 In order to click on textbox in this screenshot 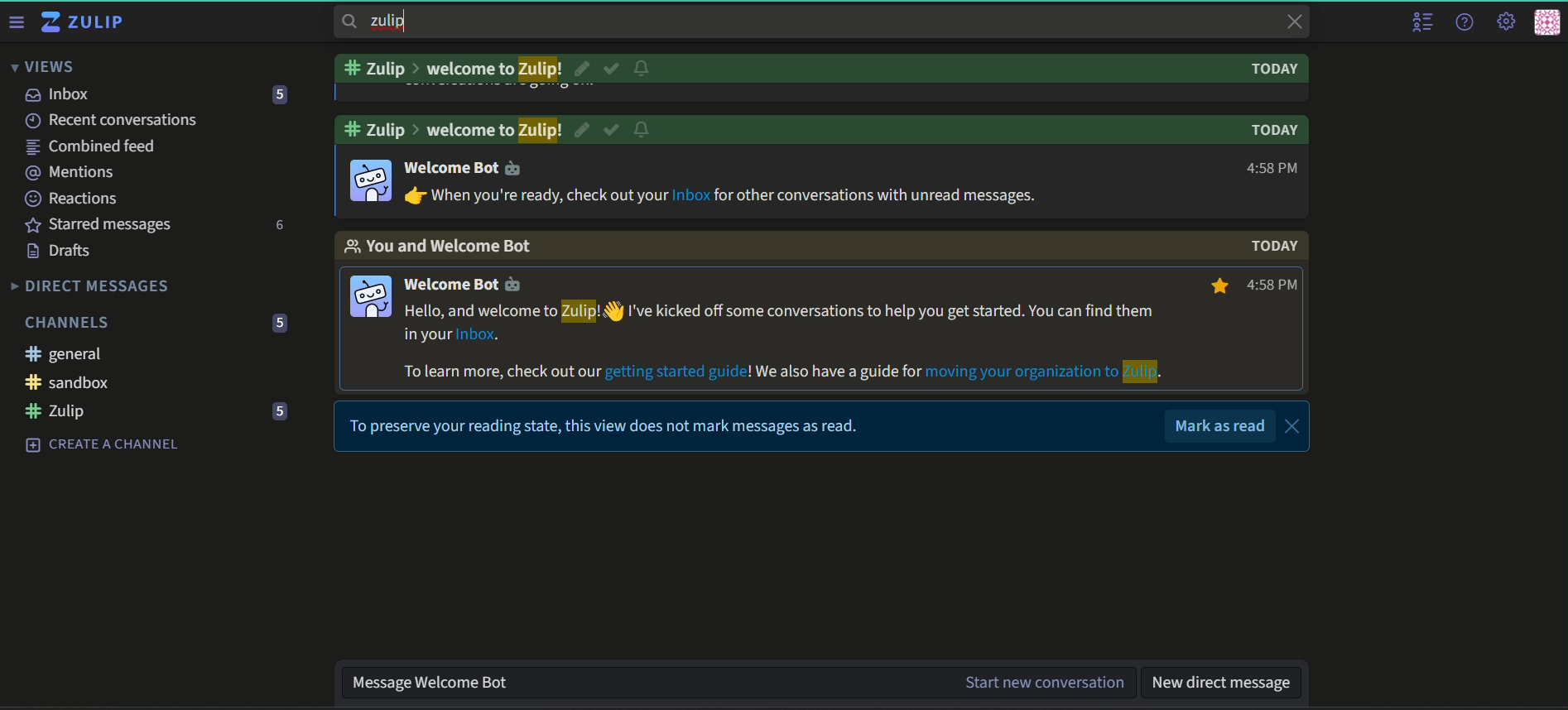, I will do `click(1223, 681)`.